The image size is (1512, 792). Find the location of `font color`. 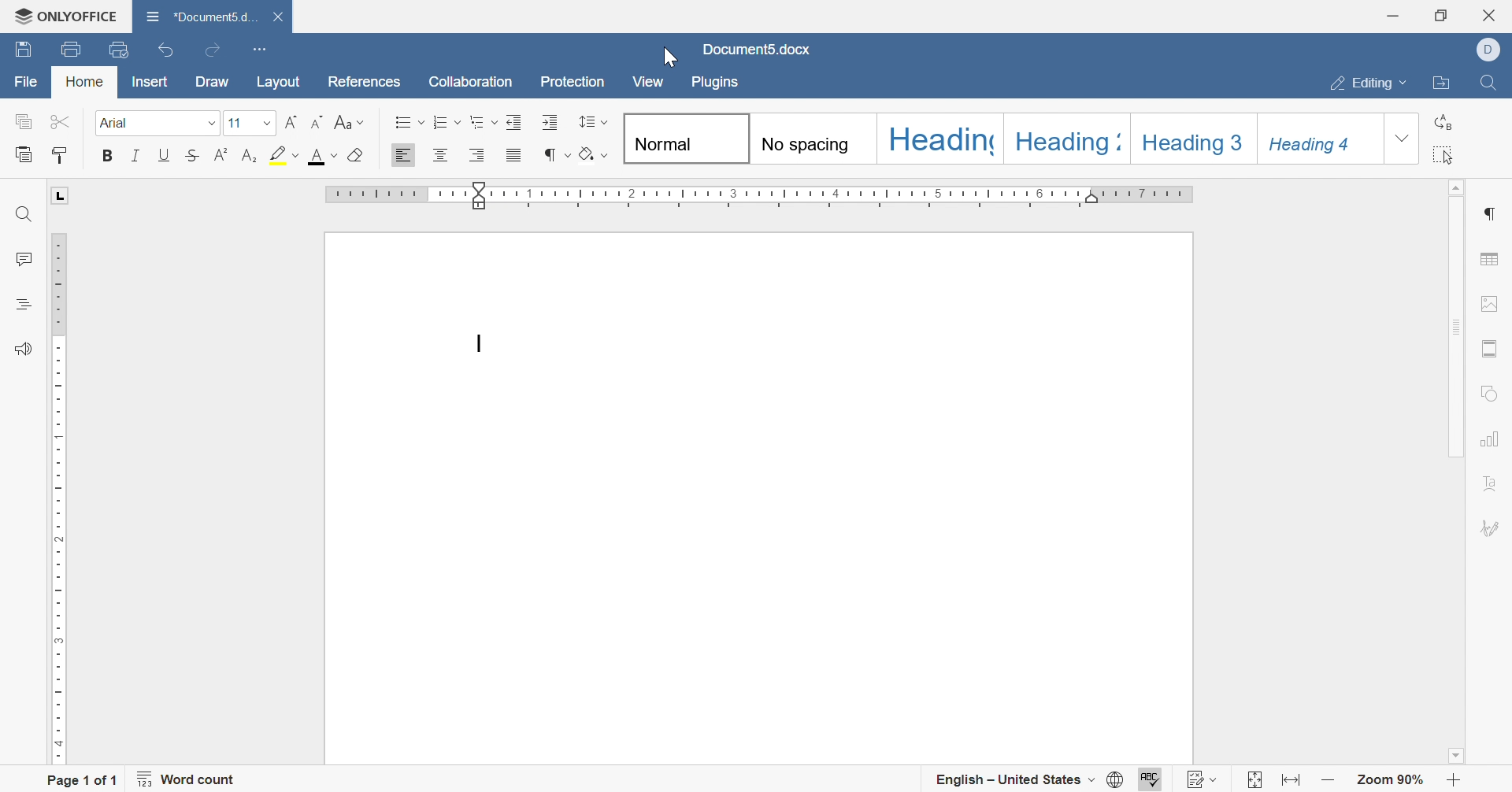

font color is located at coordinates (322, 154).